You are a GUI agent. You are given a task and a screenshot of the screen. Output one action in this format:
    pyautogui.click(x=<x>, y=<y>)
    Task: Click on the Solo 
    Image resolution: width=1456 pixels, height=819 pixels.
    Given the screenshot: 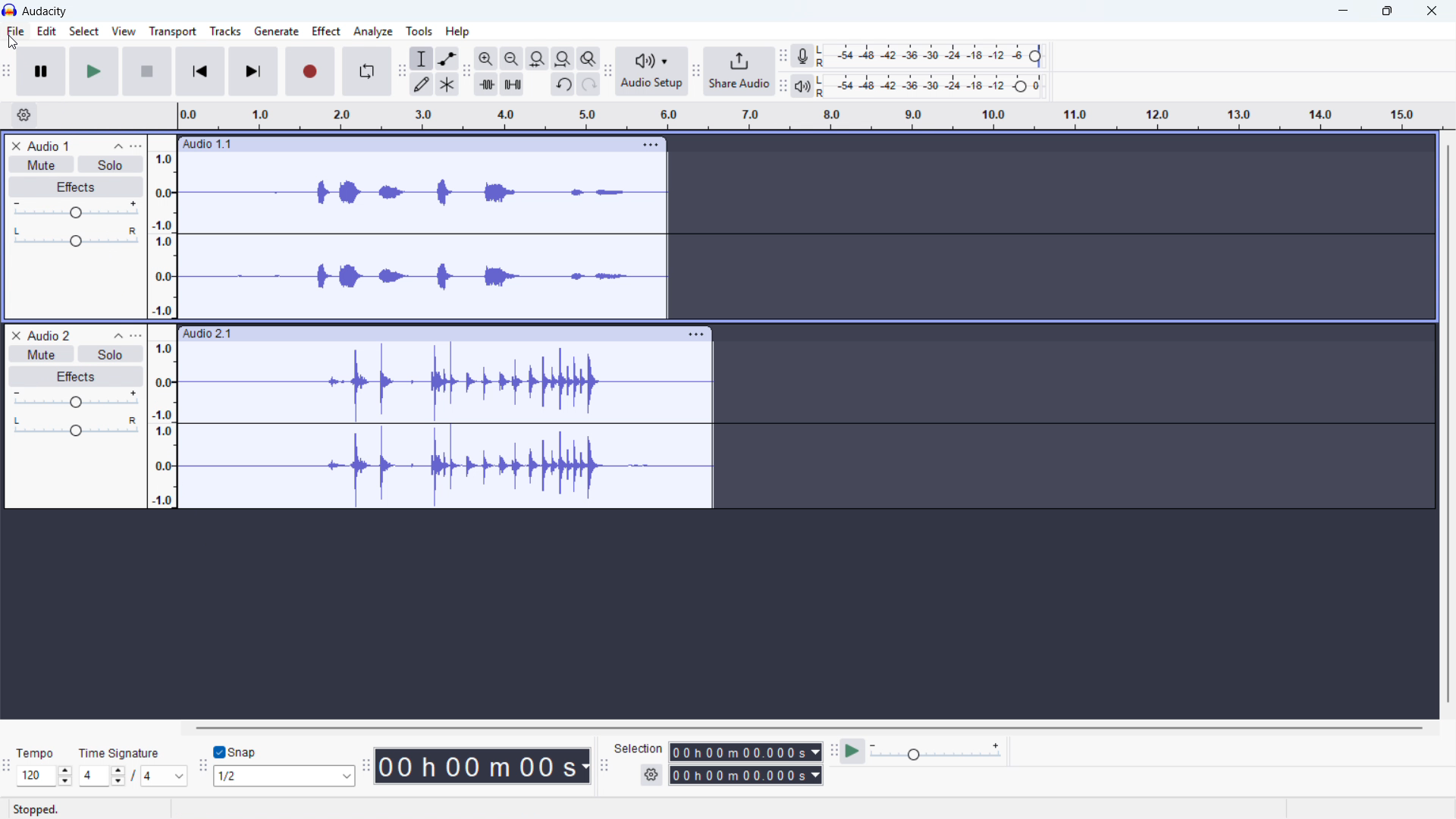 What is the action you would take?
    pyautogui.click(x=111, y=165)
    